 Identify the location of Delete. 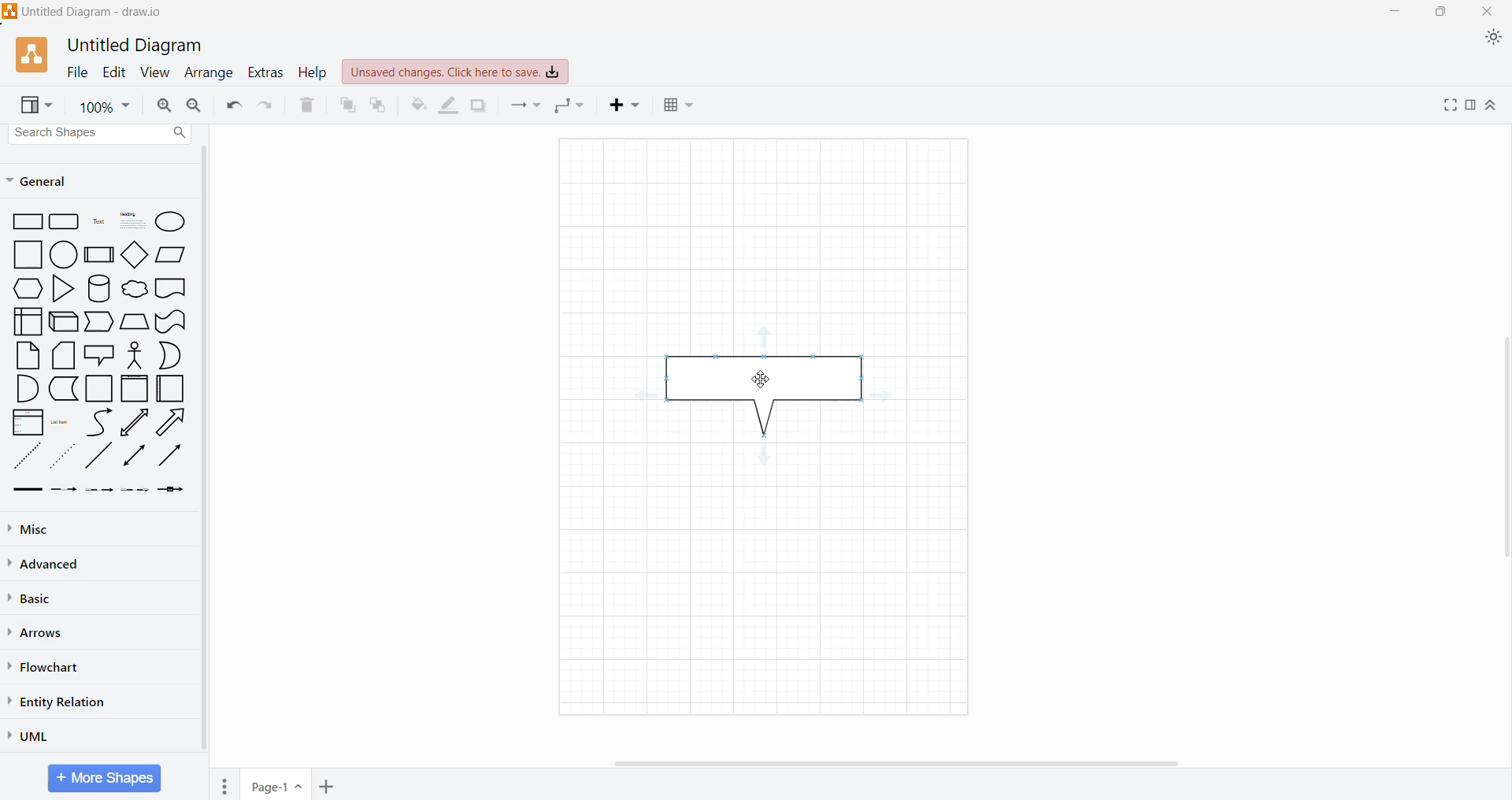
(308, 103).